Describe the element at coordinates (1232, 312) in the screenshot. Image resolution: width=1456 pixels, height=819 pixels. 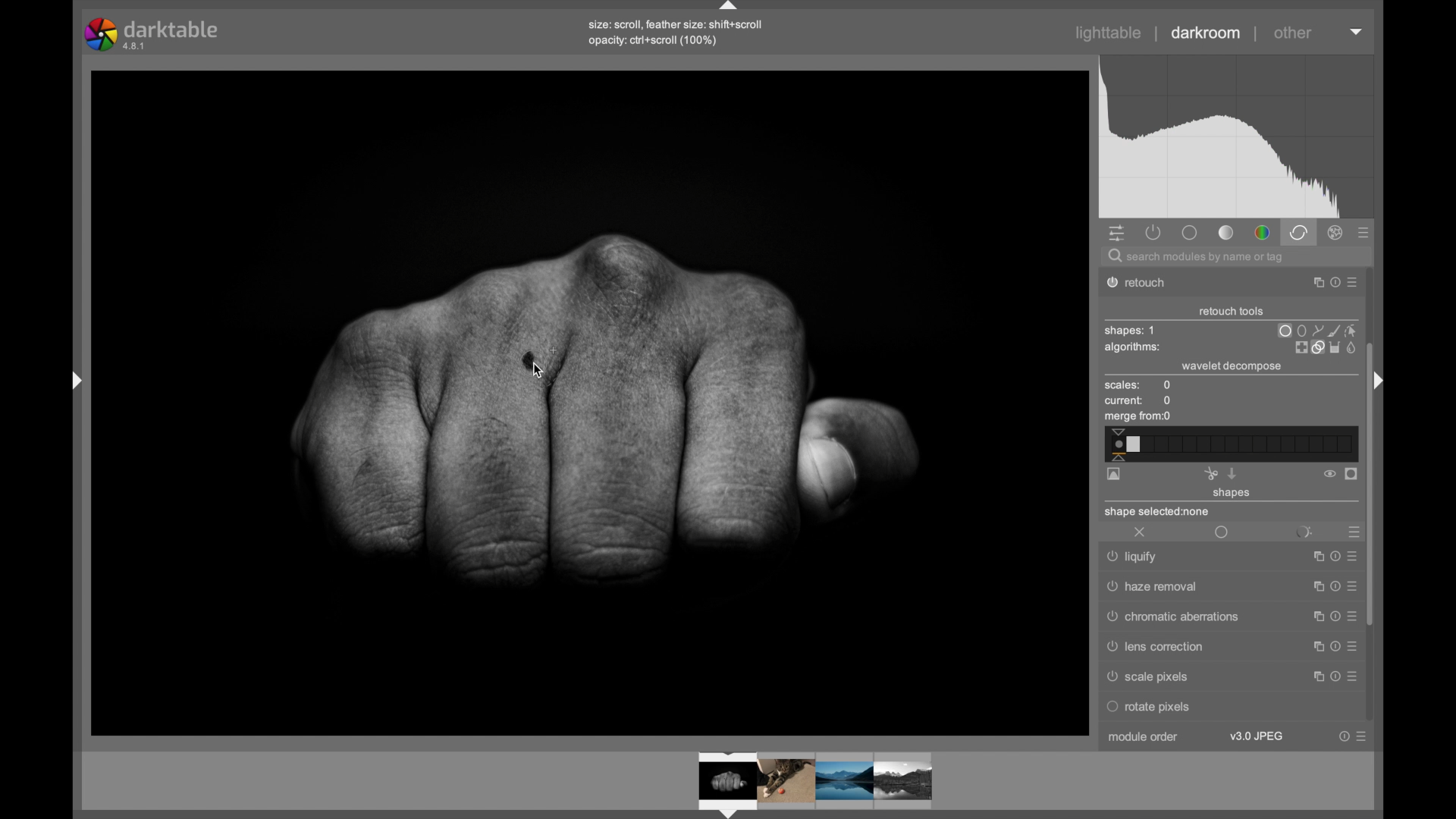
I see `retouch tools` at that location.